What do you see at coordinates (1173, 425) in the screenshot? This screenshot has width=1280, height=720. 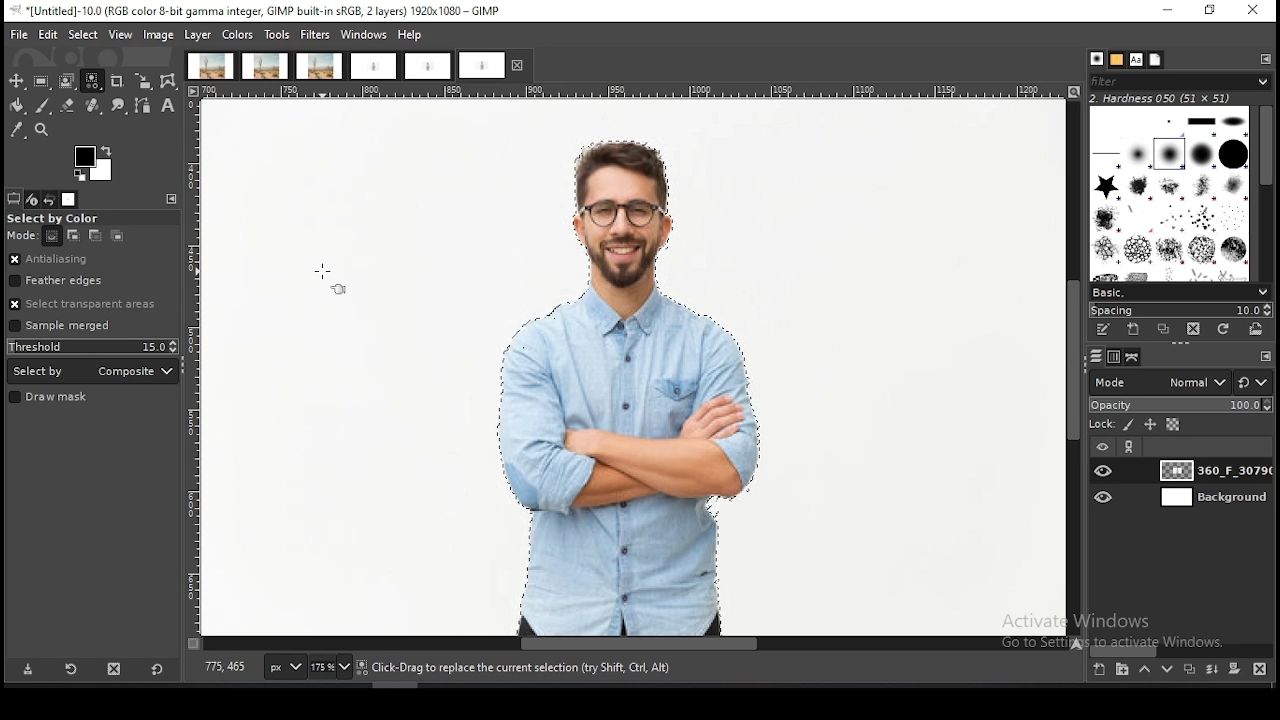 I see `lock alpha channel` at bounding box center [1173, 425].